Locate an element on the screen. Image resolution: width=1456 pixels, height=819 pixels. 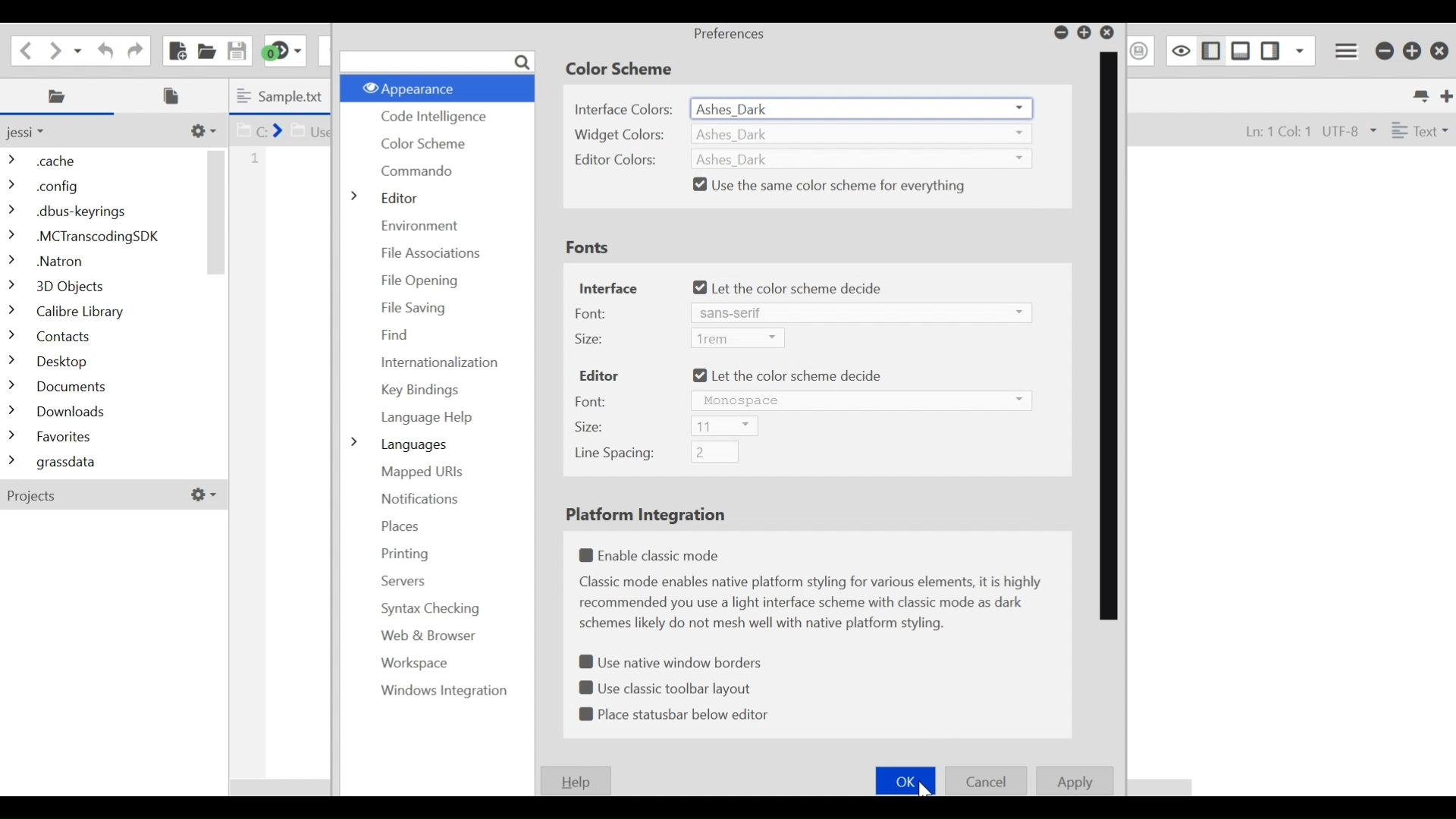
Languages is located at coordinates (399, 444).